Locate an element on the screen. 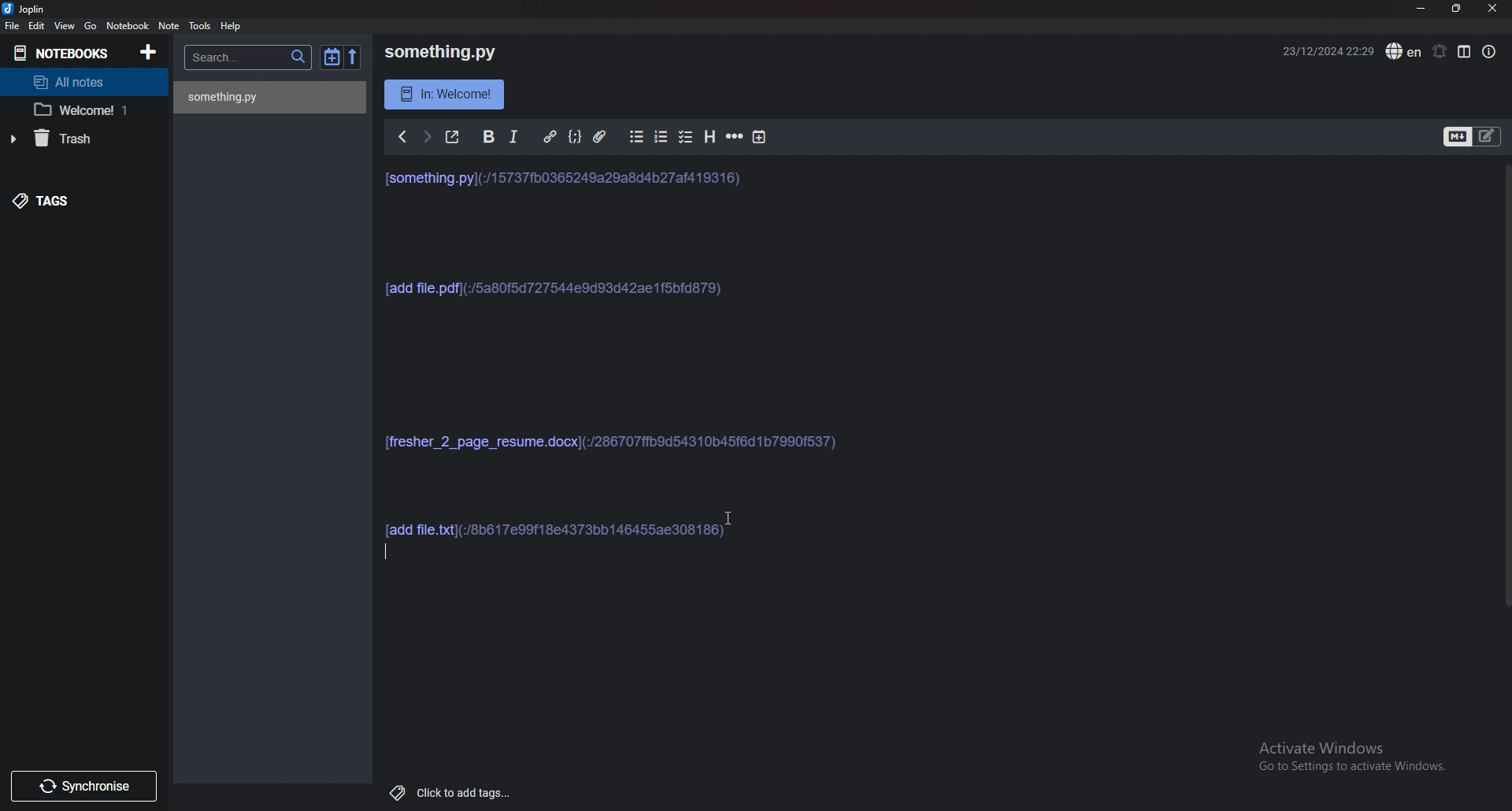 The width and height of the screenshot is (1512, 811). joplin is located at coordinates (37, 9).